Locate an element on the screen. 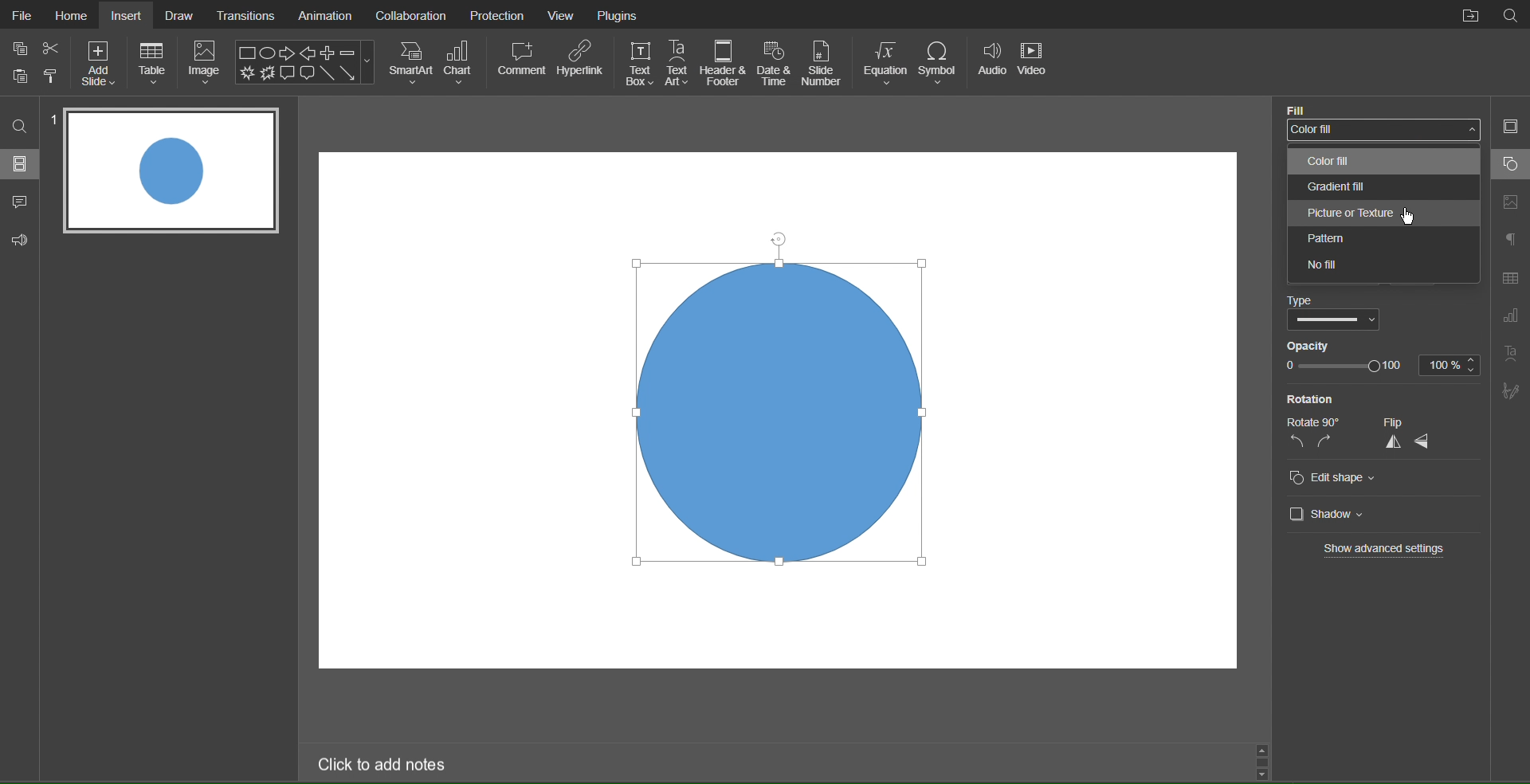 This screenshot has height=784, width=1530.  is located at coordinates (1336, 321).